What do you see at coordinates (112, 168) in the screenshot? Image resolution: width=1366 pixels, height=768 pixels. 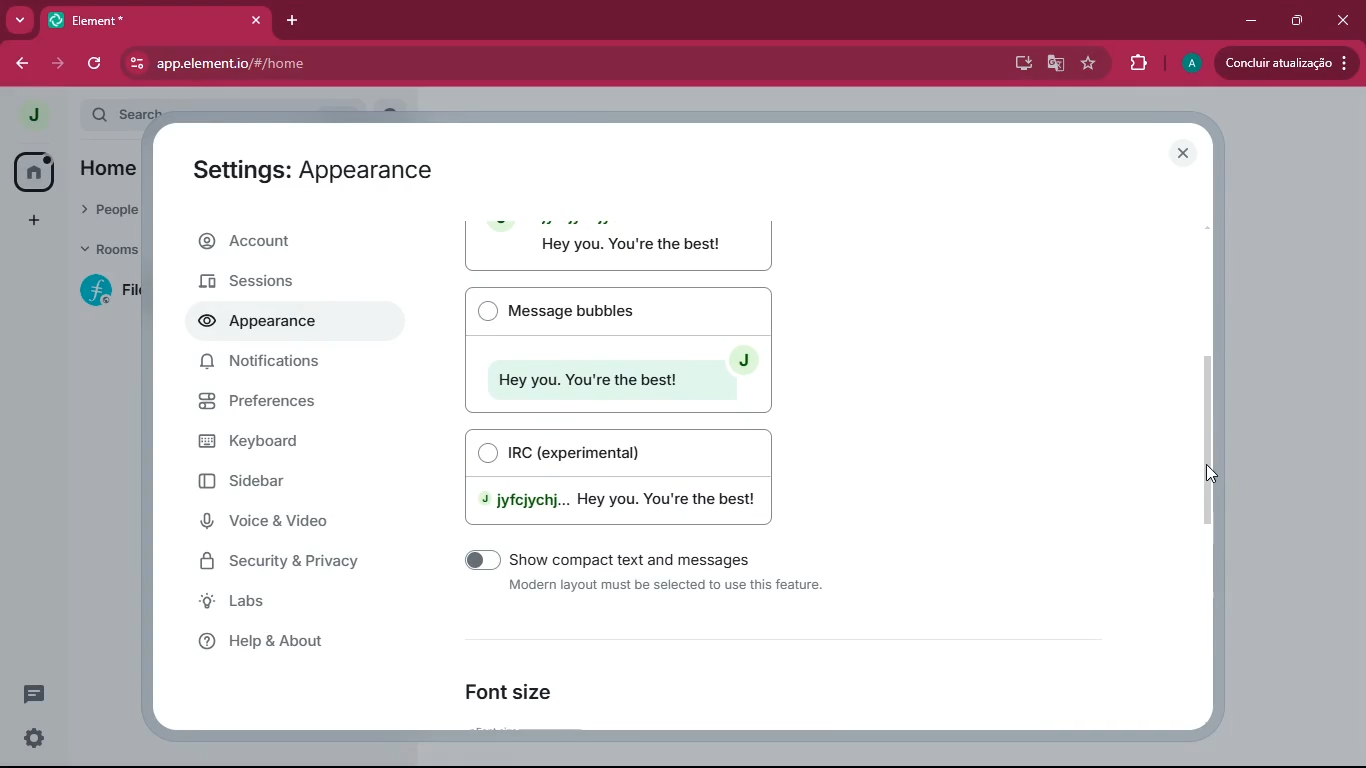 I see `home` at bounding box center [112, 168].